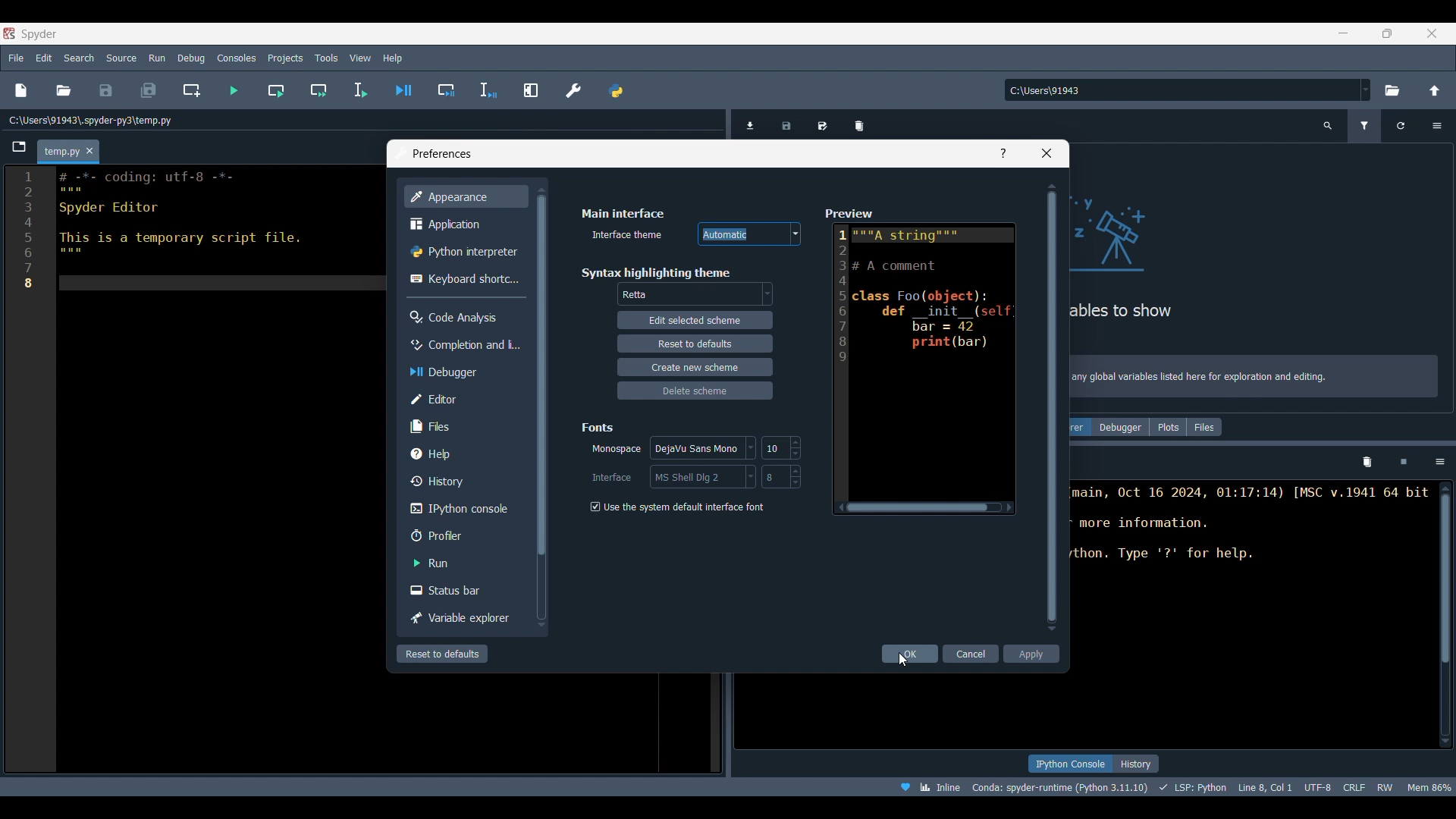  Describe the element at coordinates (655, 272) in the screenshot. I see `Section title` at that location.